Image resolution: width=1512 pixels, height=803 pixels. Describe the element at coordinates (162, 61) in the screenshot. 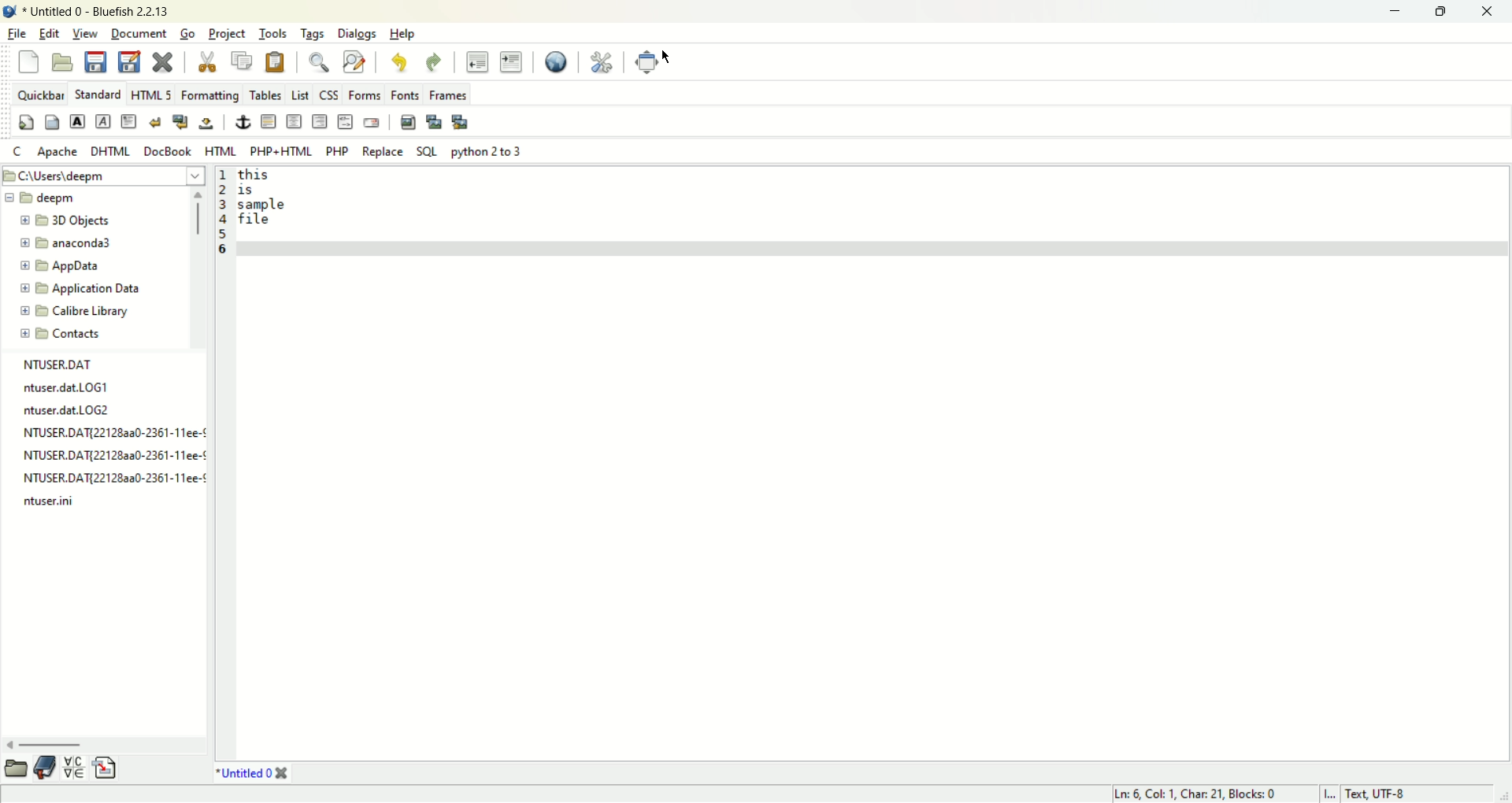

I see `close` at that location.